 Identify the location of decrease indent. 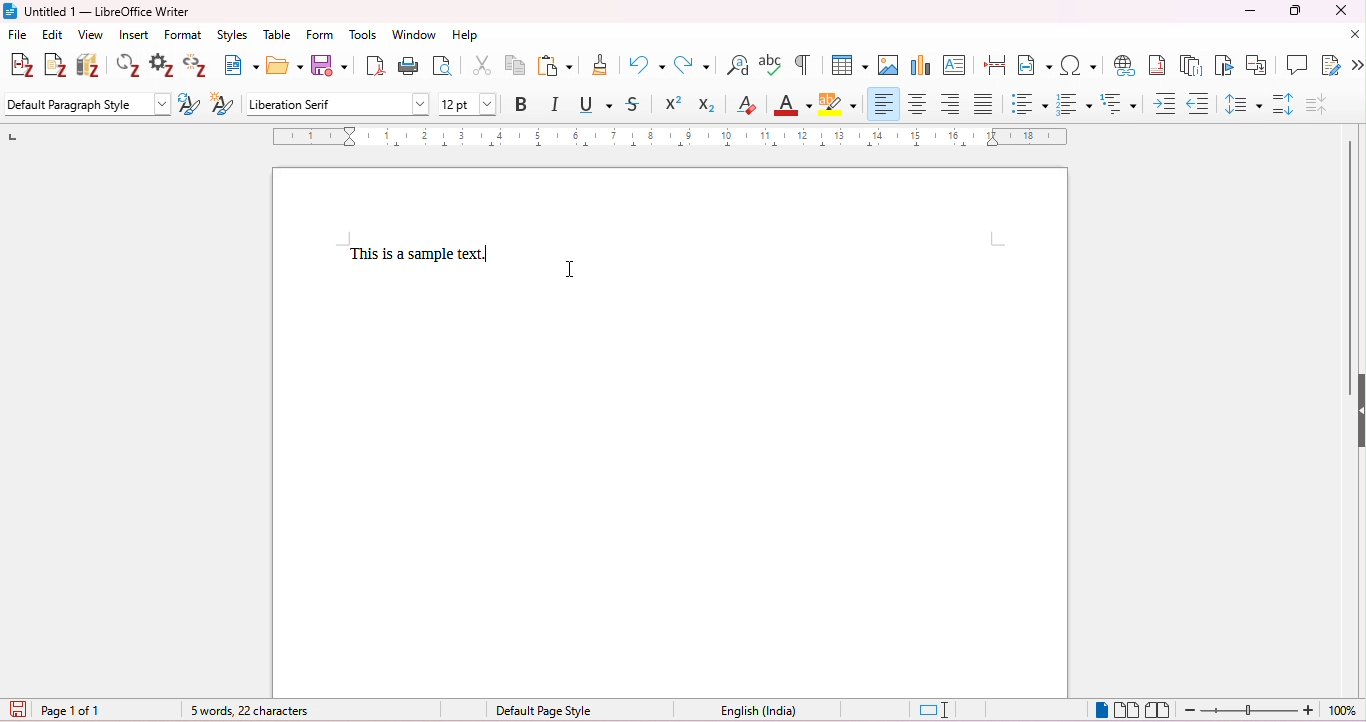
(1200, 104).